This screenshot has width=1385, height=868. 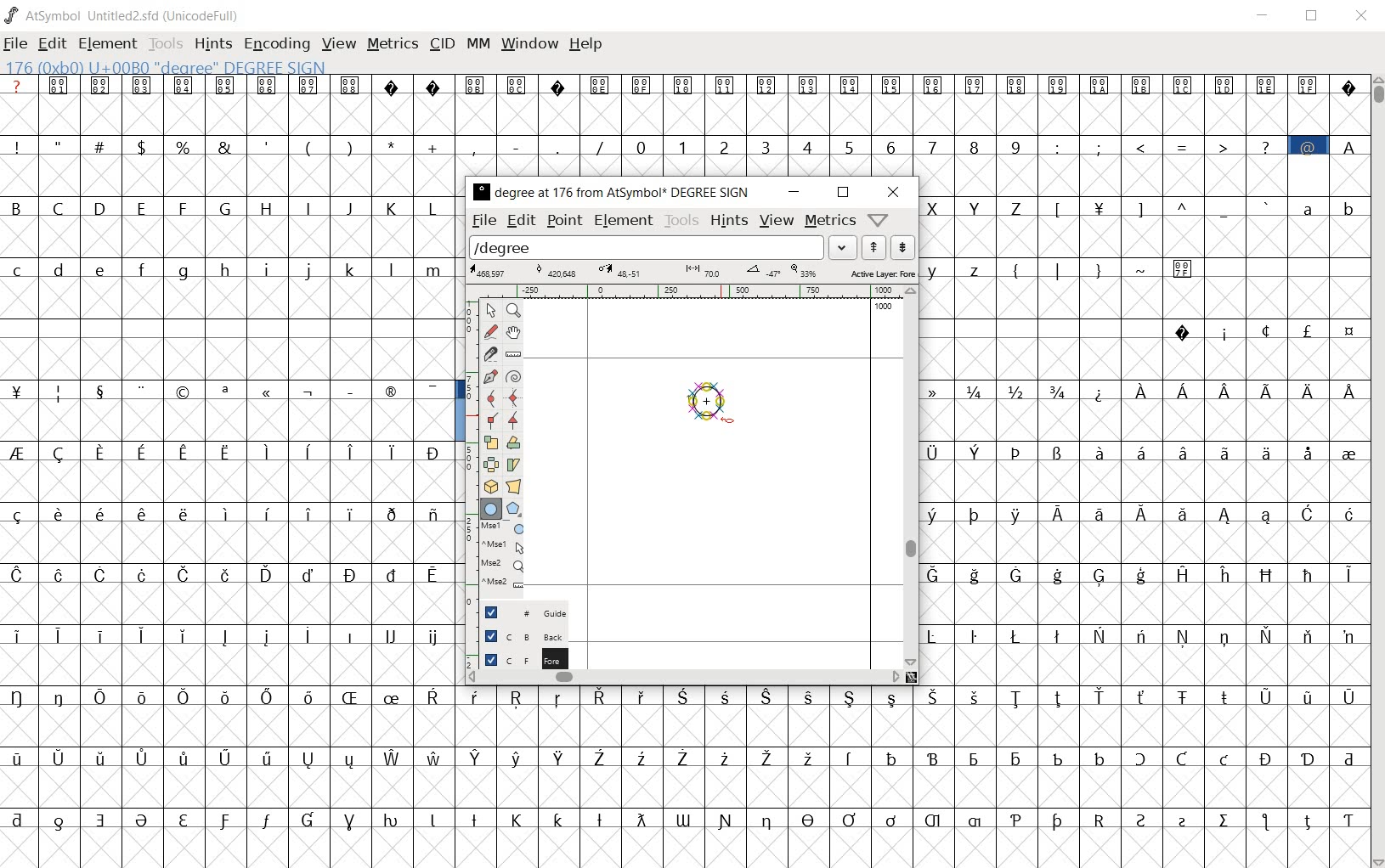 What do you see at coordinates (204, 85) in the screenshot?
I see `unicode code points` at bounding box center [204, 85].